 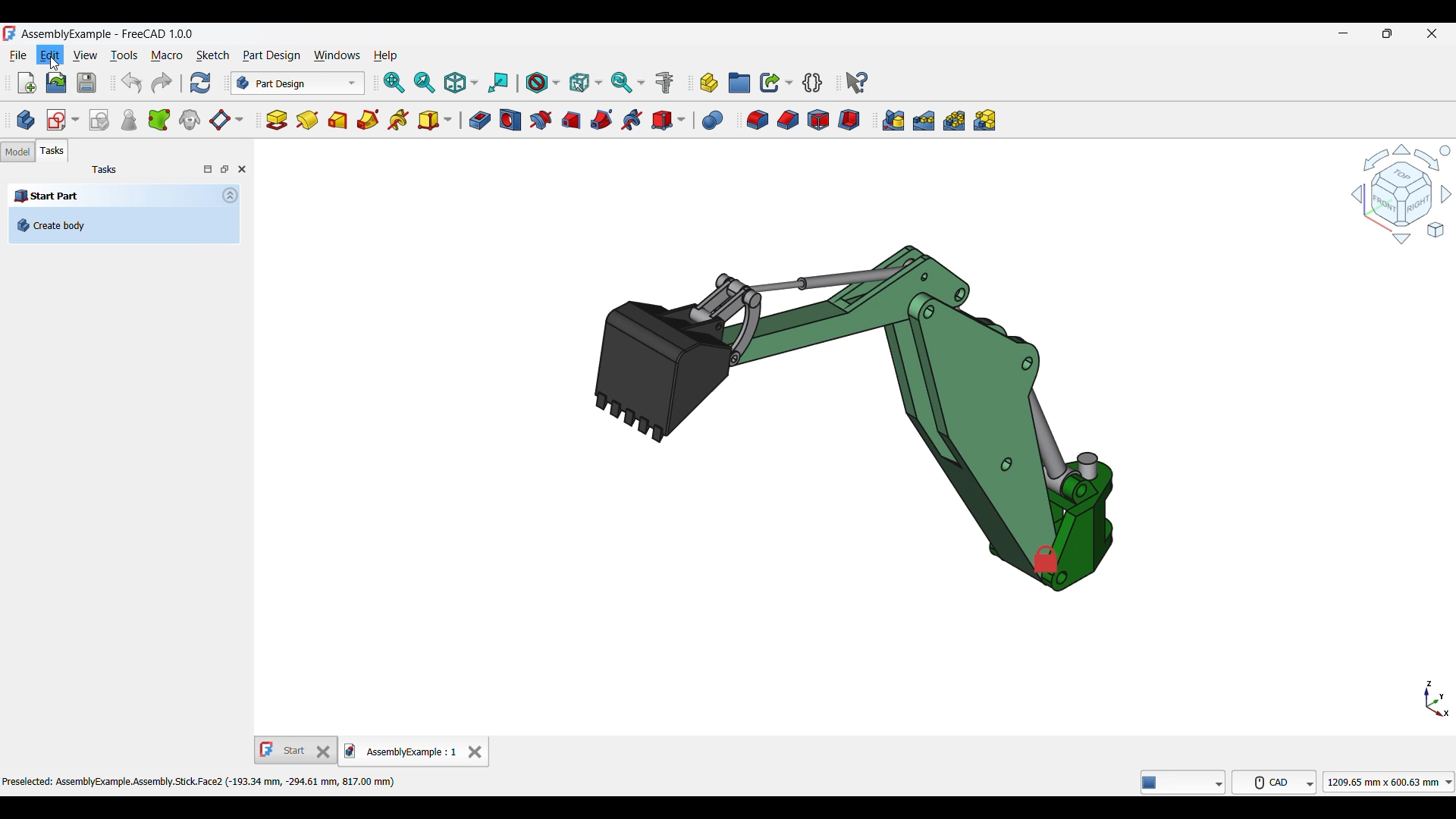 I want to click on Start part, so click(x=112, y=196).